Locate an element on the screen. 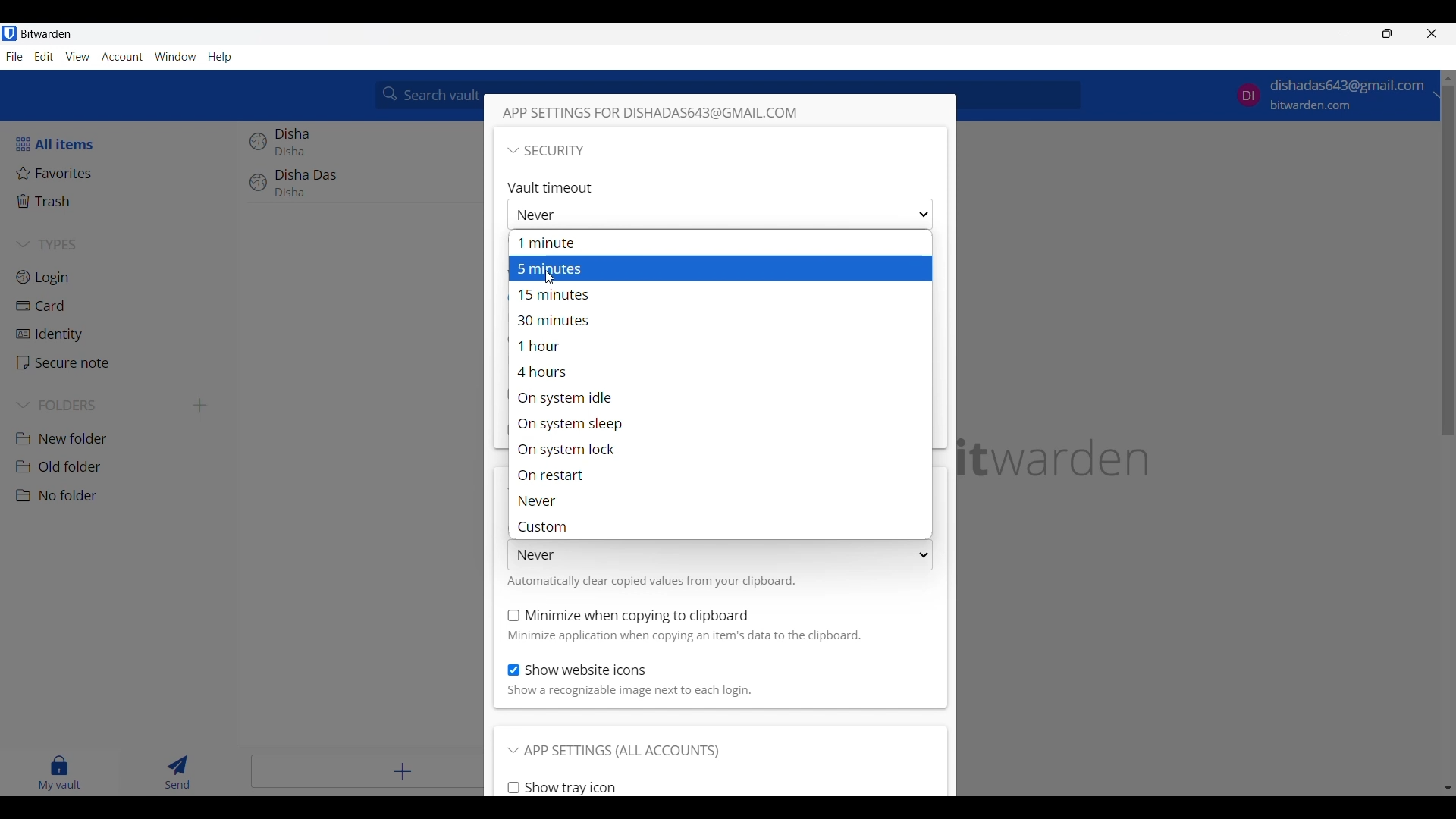 The height and width of the screenshot is (819, 1456). Add item is located at coordinates (367, 771).